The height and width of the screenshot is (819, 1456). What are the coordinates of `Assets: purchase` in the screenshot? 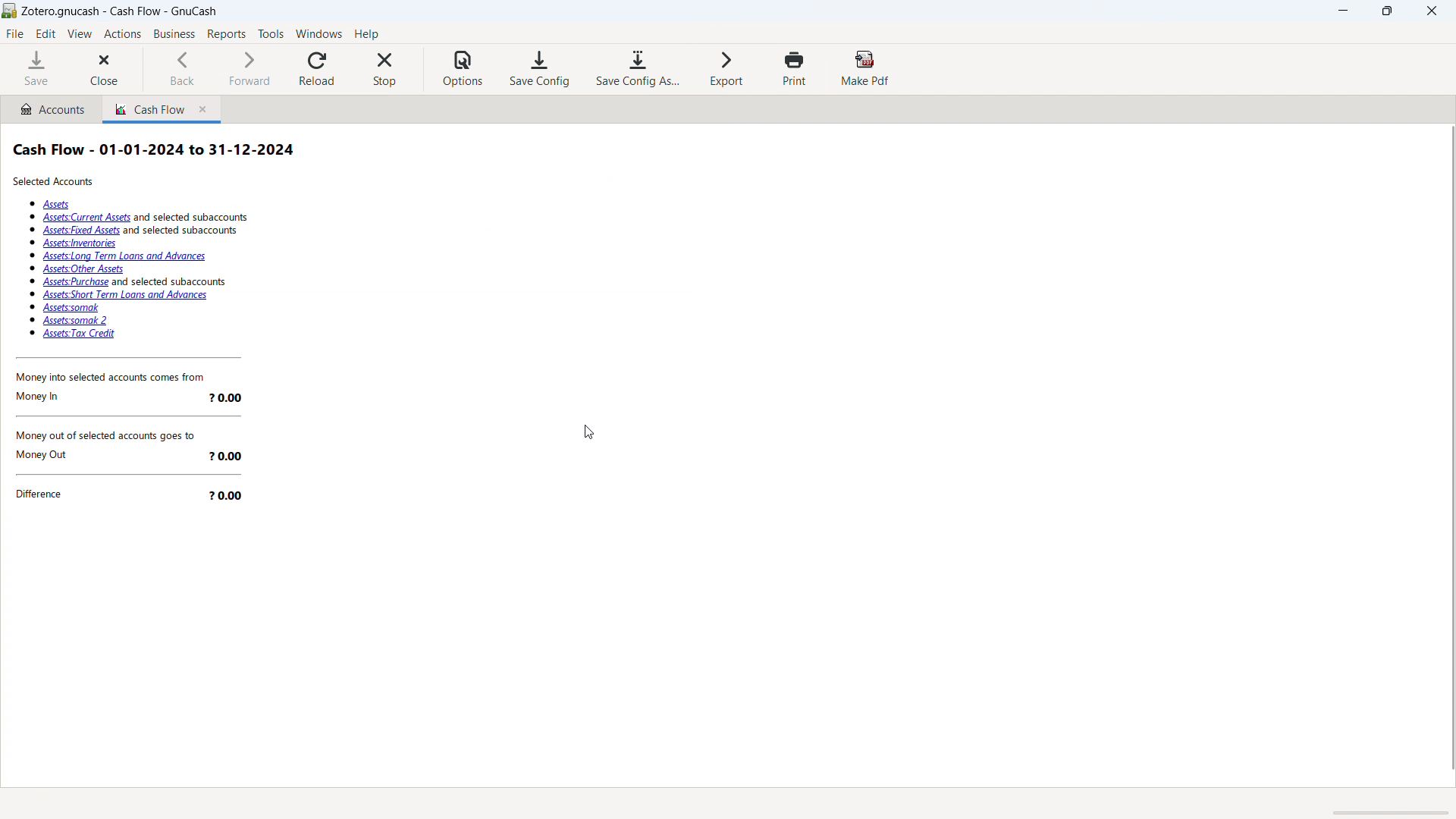 It's located at (133, 282).